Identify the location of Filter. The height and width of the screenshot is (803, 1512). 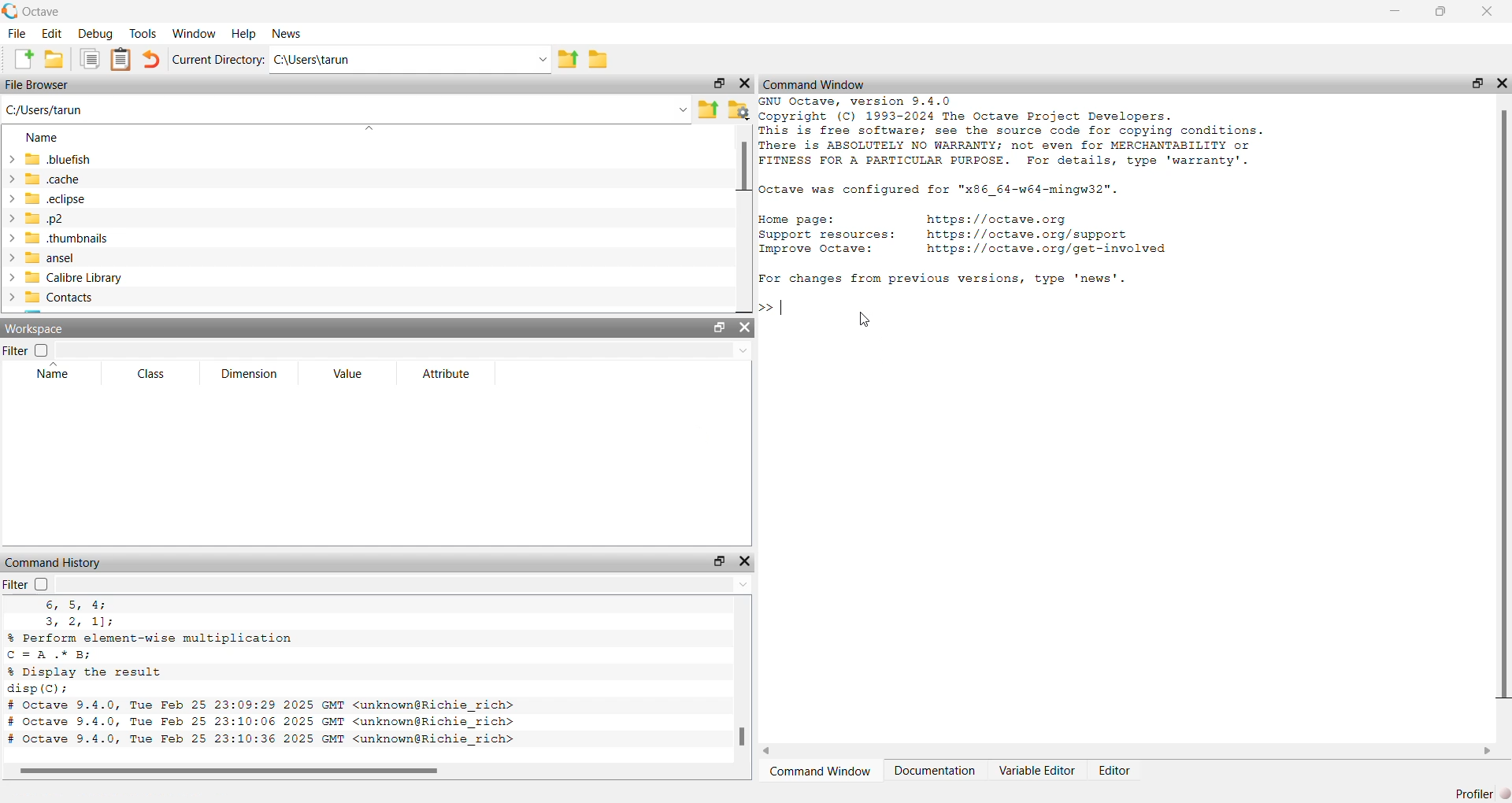
(16, 350).